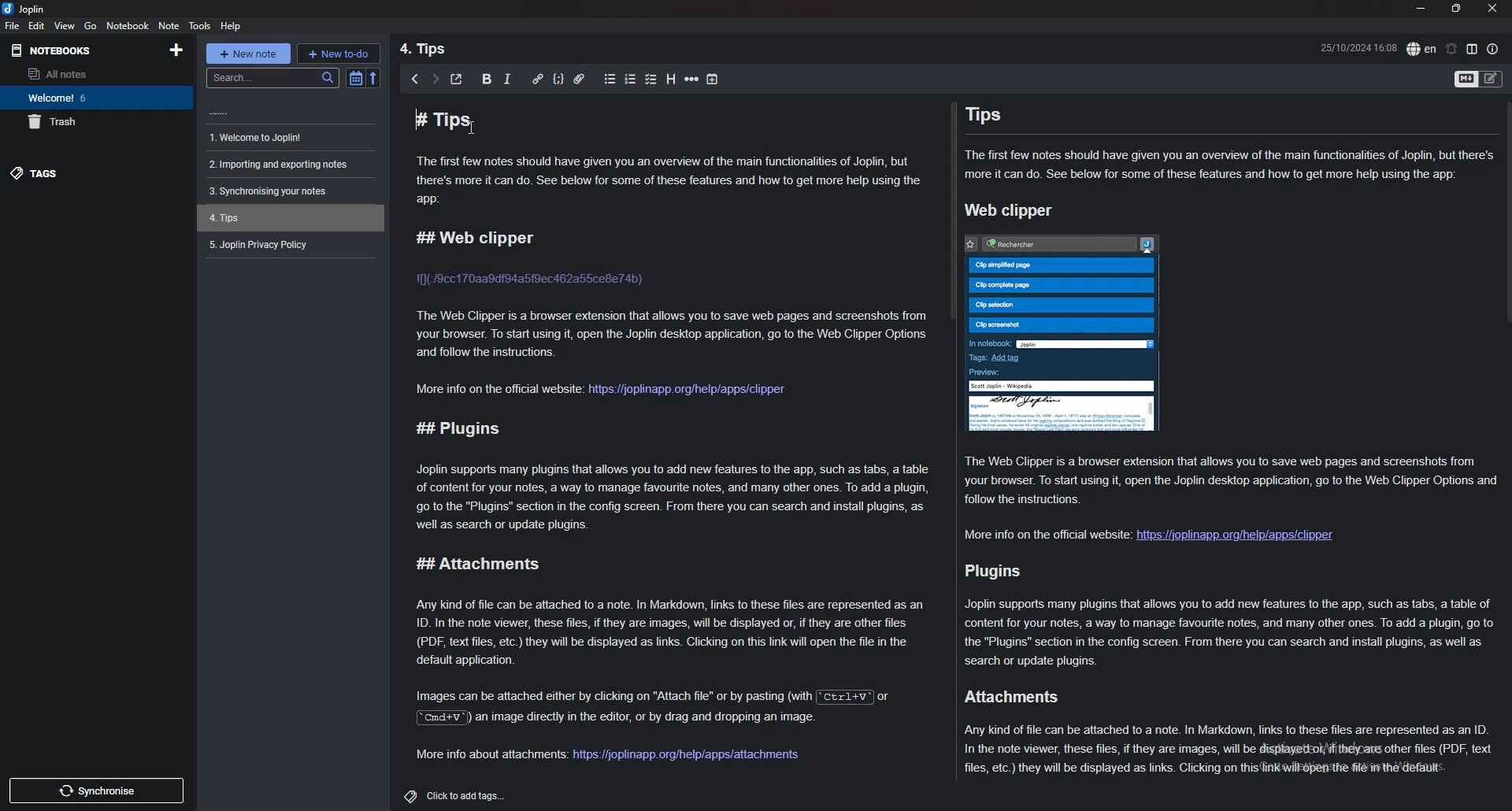 This screenshot has width=1512, height=811. I want to click on 1[)(:/9cc170aa9df94a59ec462a55ce8eT:, so click(528, 280).